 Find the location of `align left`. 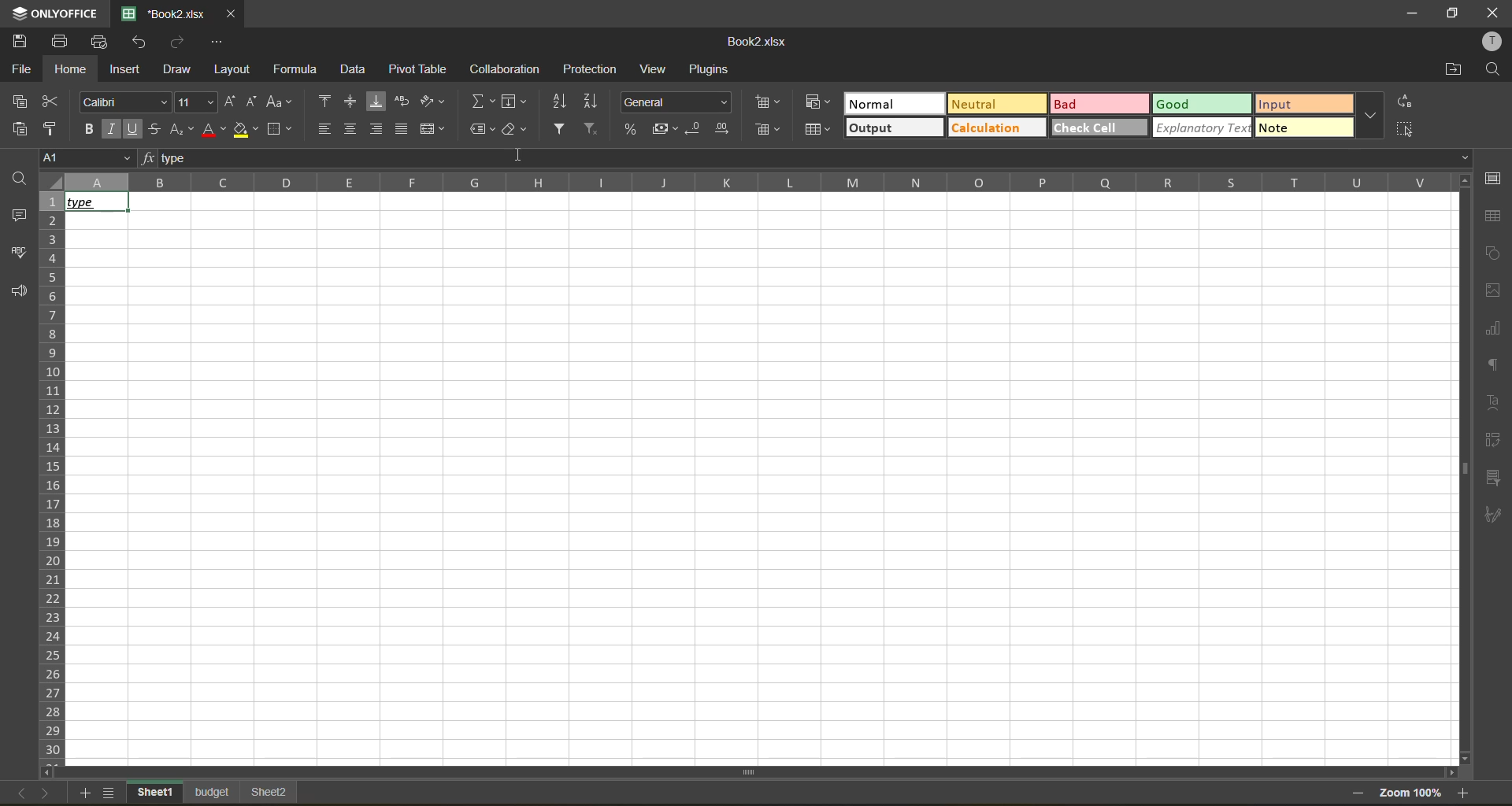

align left is located at coordinates (324, 129).